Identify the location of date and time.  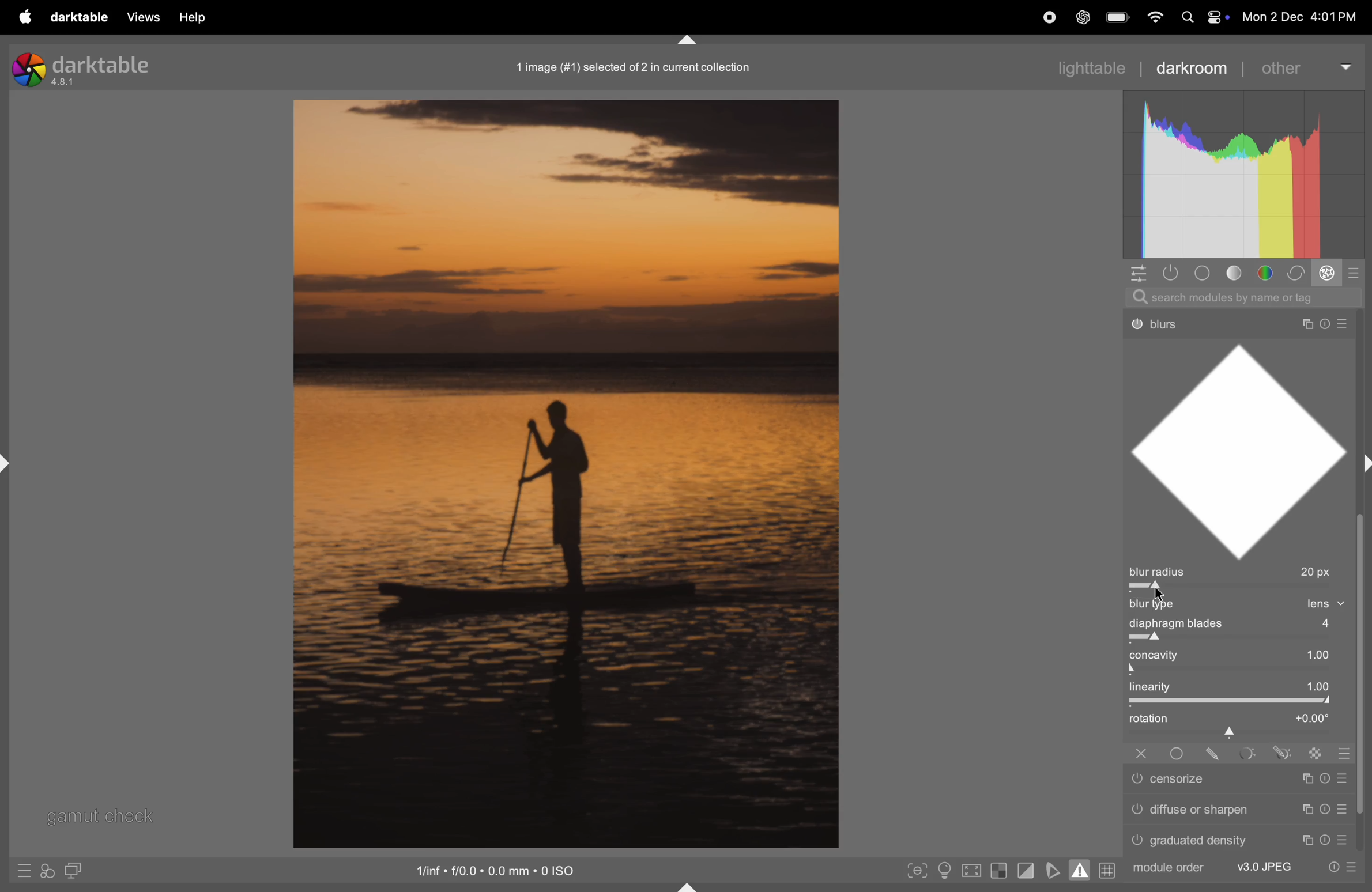
(1301, 13).